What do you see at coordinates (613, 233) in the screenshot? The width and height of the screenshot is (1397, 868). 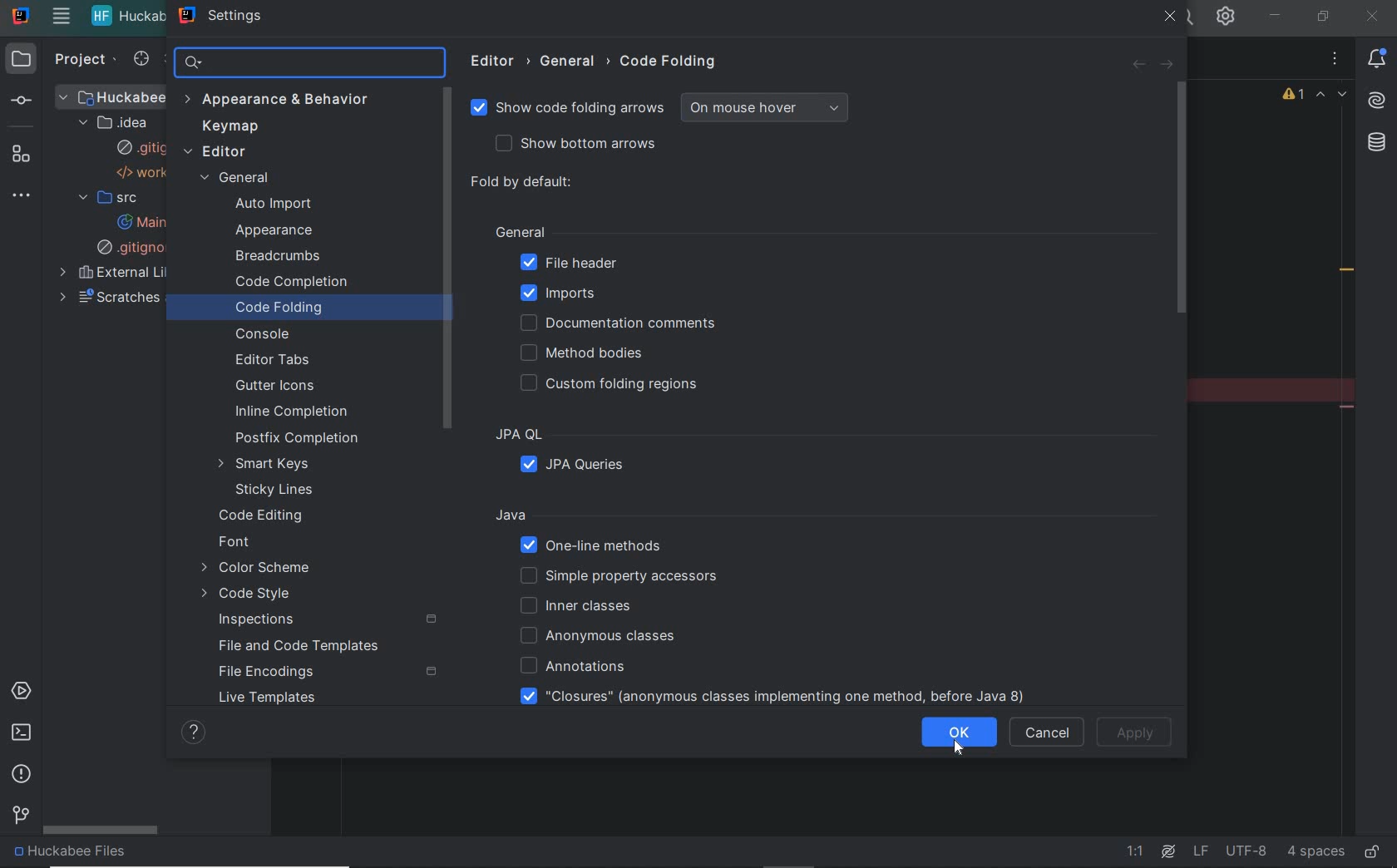 I see `General` at bounding box center [613, 233].